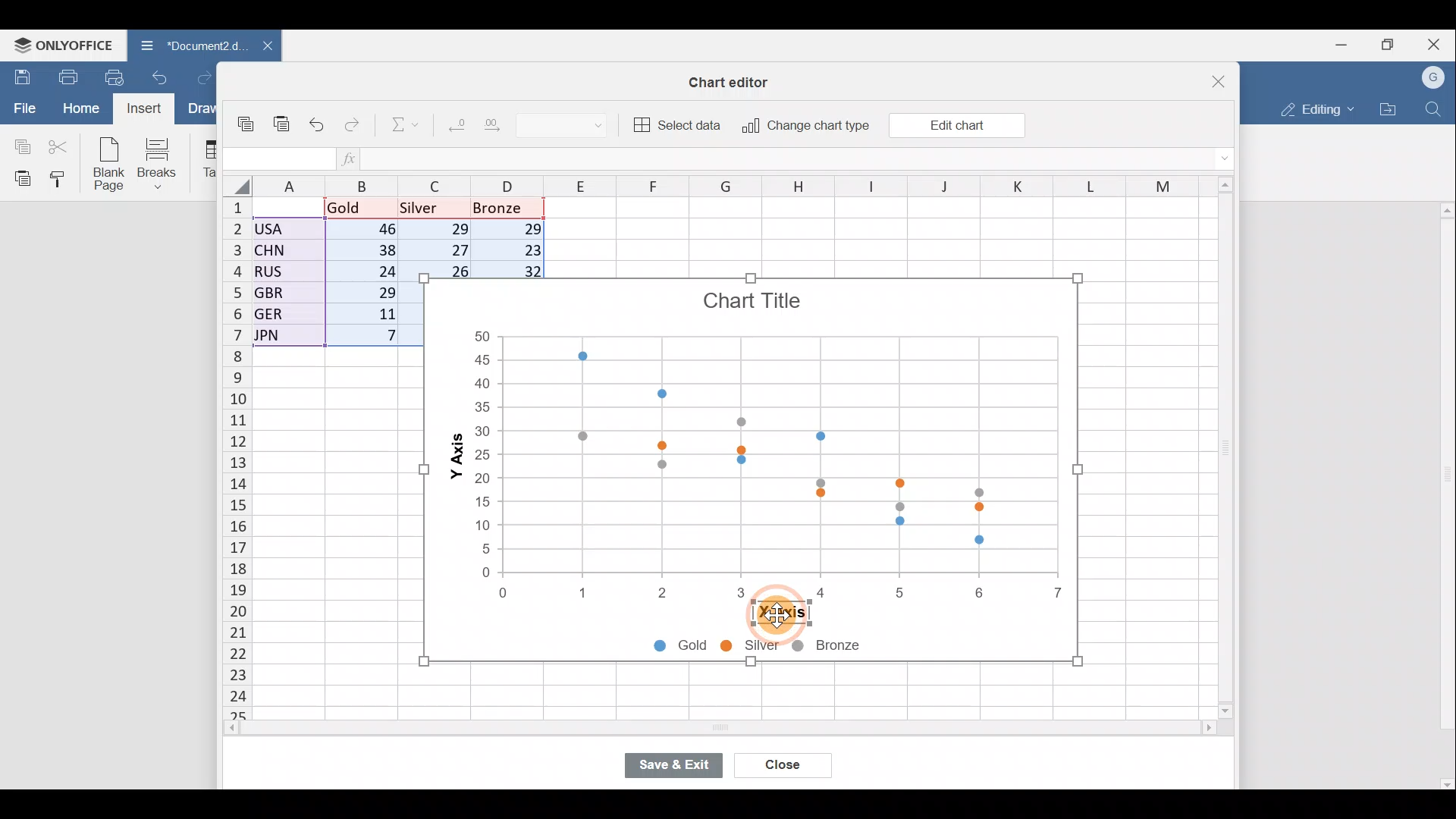 The width and height of the screenshot is (1456, 819). Describe the element at coordinates (724, 185) in the screenshot. I see `Columns` at that location.